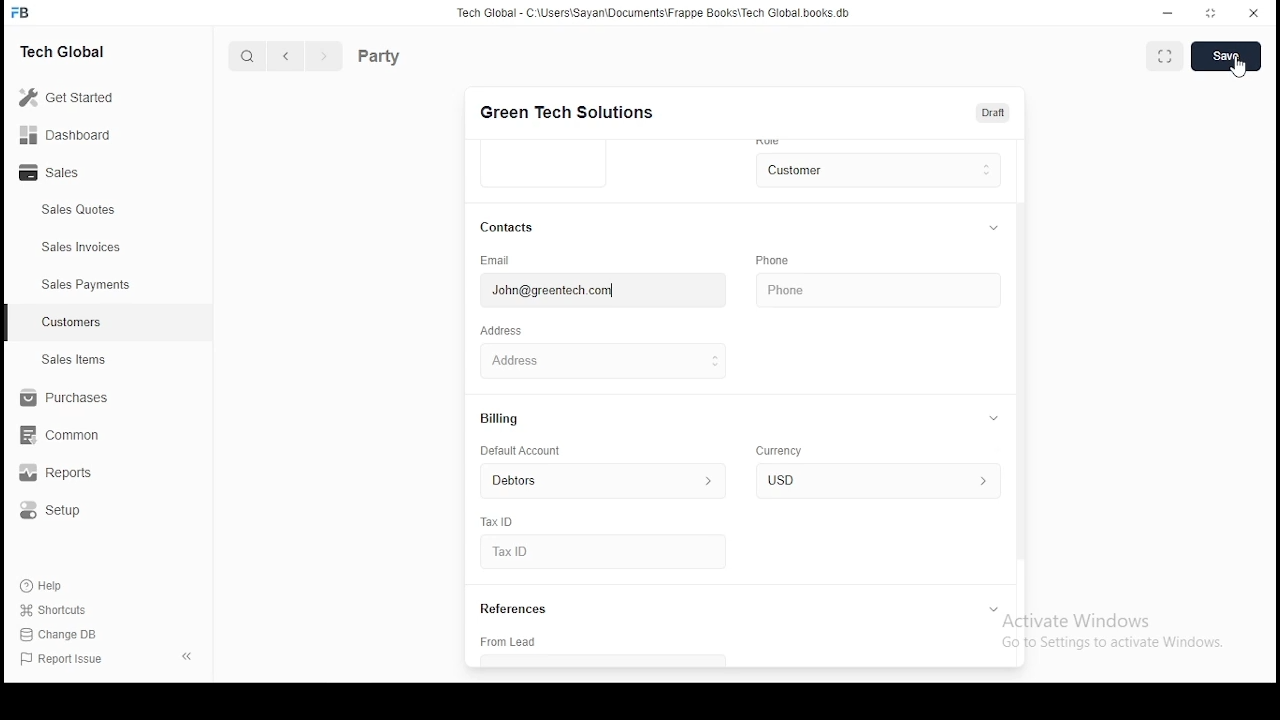 The width and height of the screenshot is (1280, 720). I want to click on dashboard, so click(66, 133).